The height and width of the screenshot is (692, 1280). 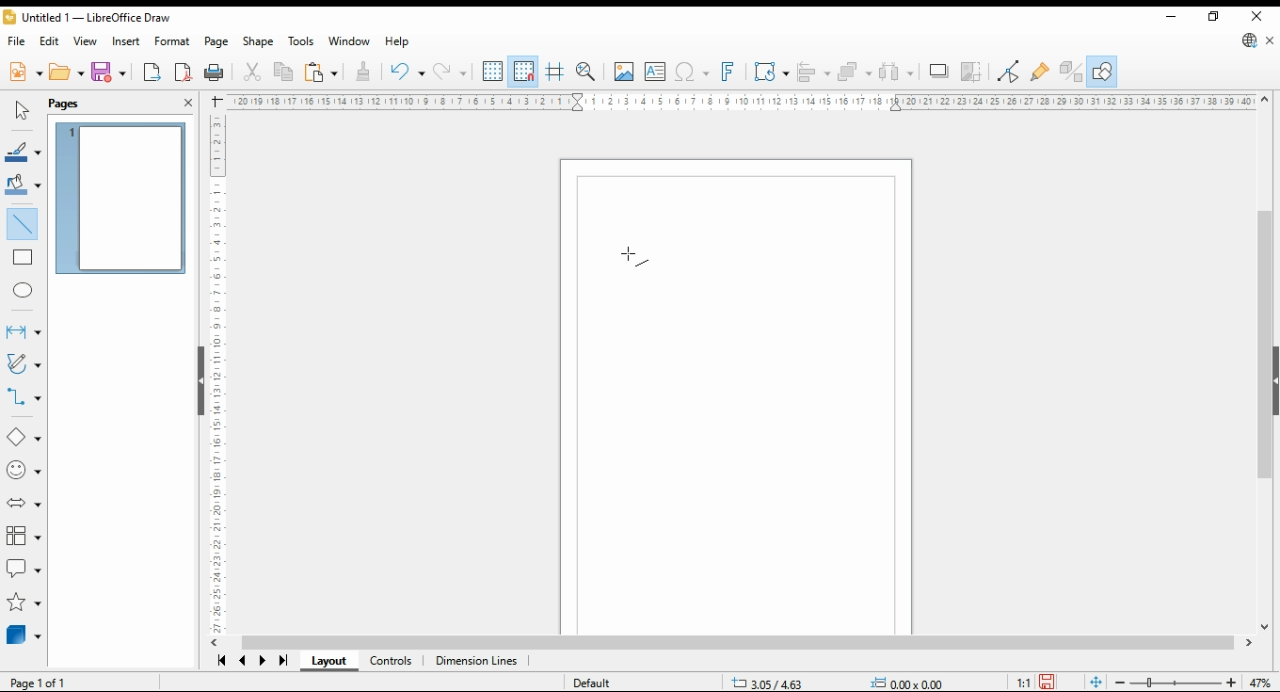 What do you see at coordinates (262, 662) in the screenshot?
I see `next page` at bounding box center [262, 662].